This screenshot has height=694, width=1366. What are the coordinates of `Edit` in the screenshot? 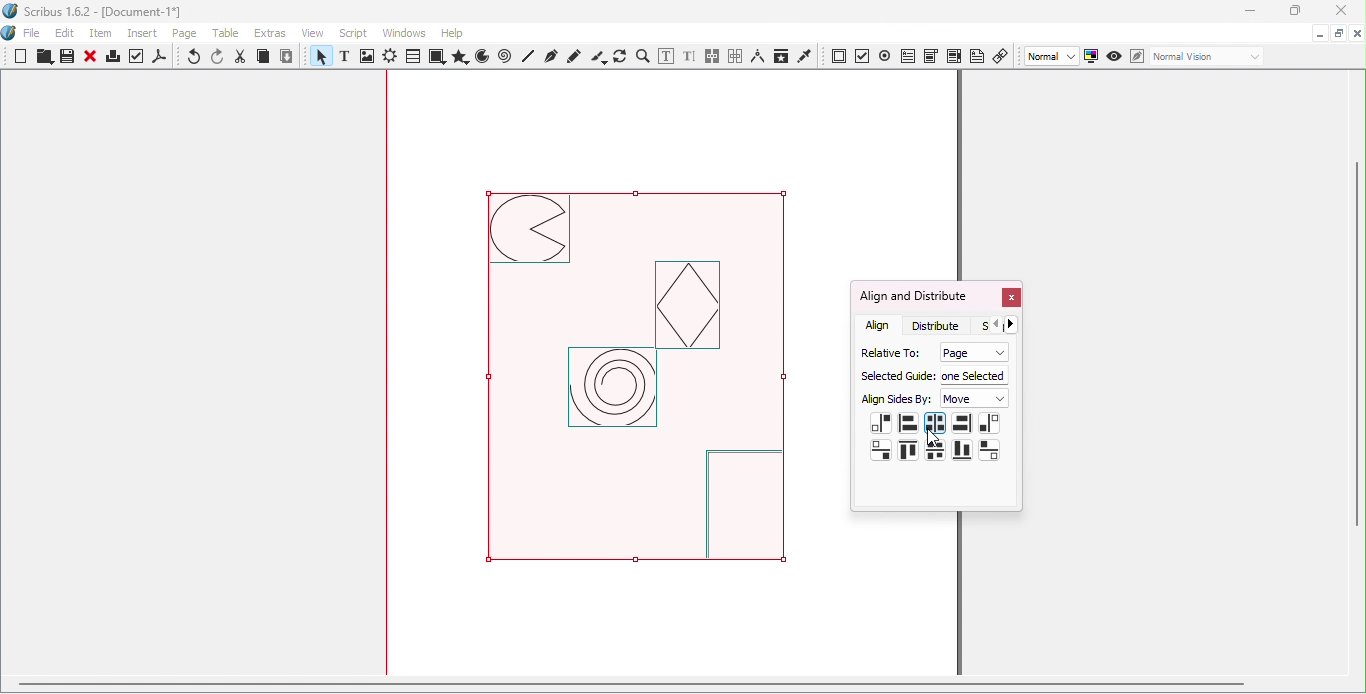 It's located at (65, 33).